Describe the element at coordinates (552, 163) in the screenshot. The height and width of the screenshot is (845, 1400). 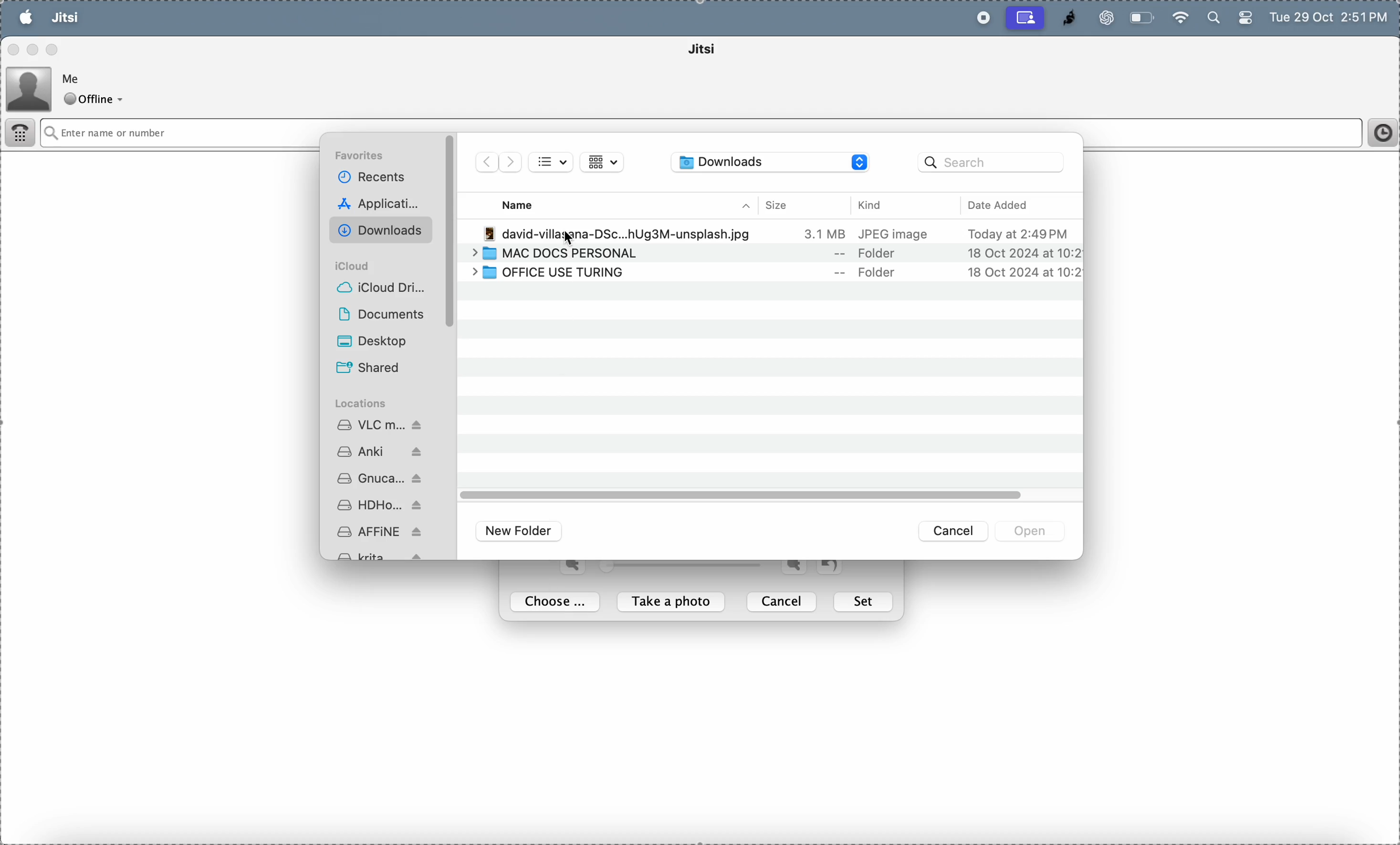
I see `bullet list` at that location.